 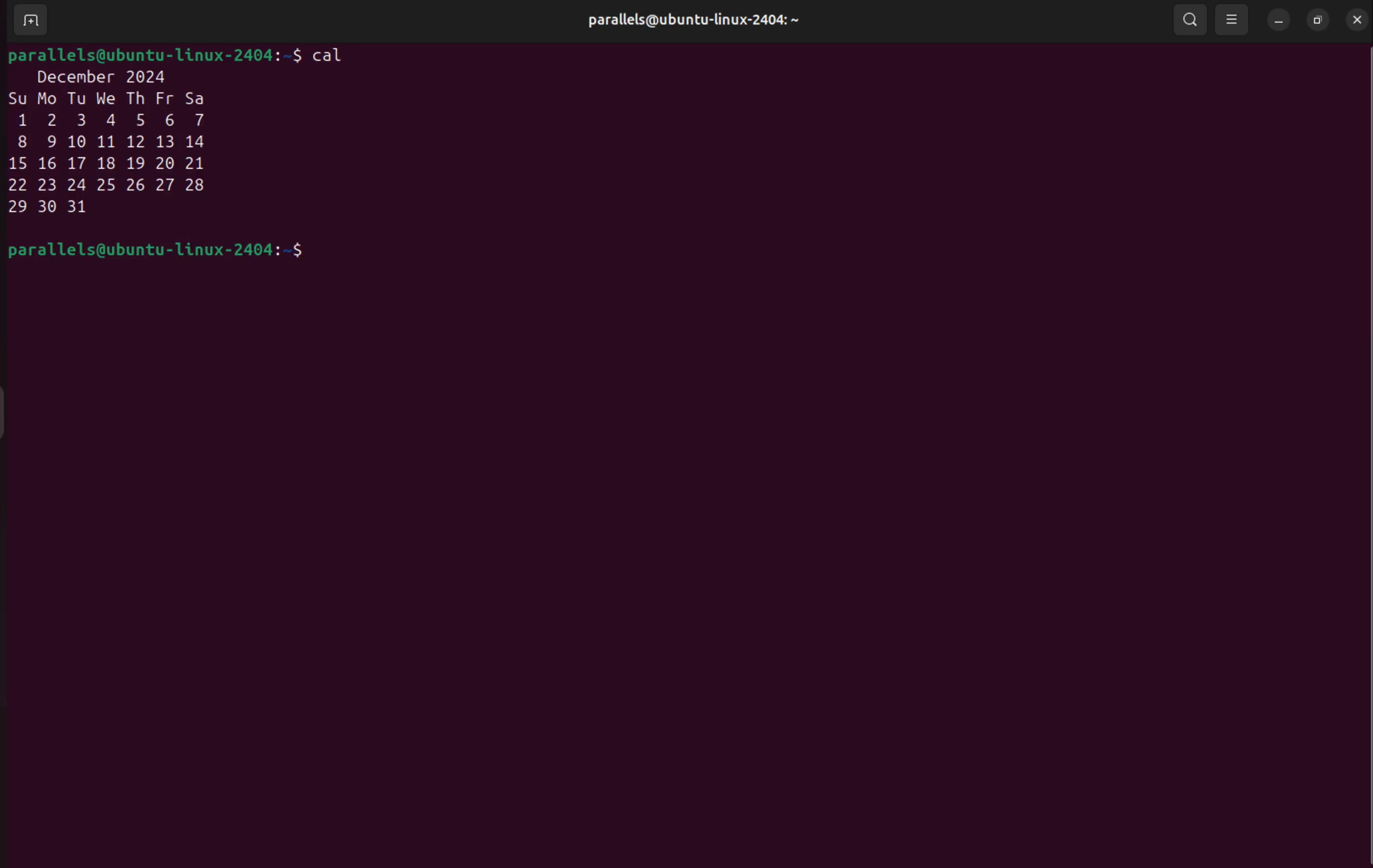 What do you see at coordinates (688, 23) in the screenshot?
I see `parallels@ubuntu-linux-2404: ~` at bounding box center [688, 23].